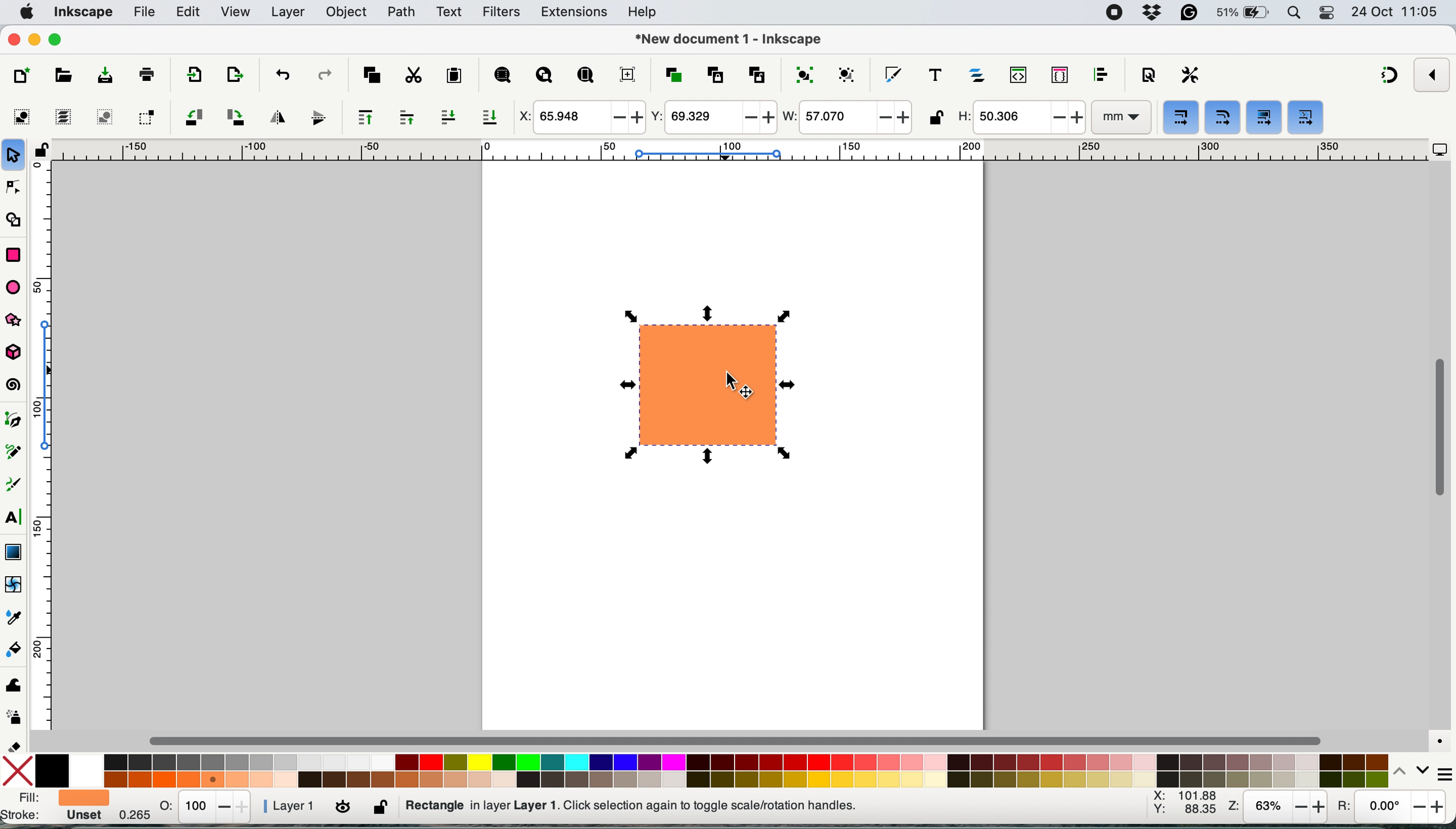 The width and height of the screenshot is (1456, 829). What do you see at coordinates (401, 12) in the screenshot?
I see `path` at bounding box center [401, 12].